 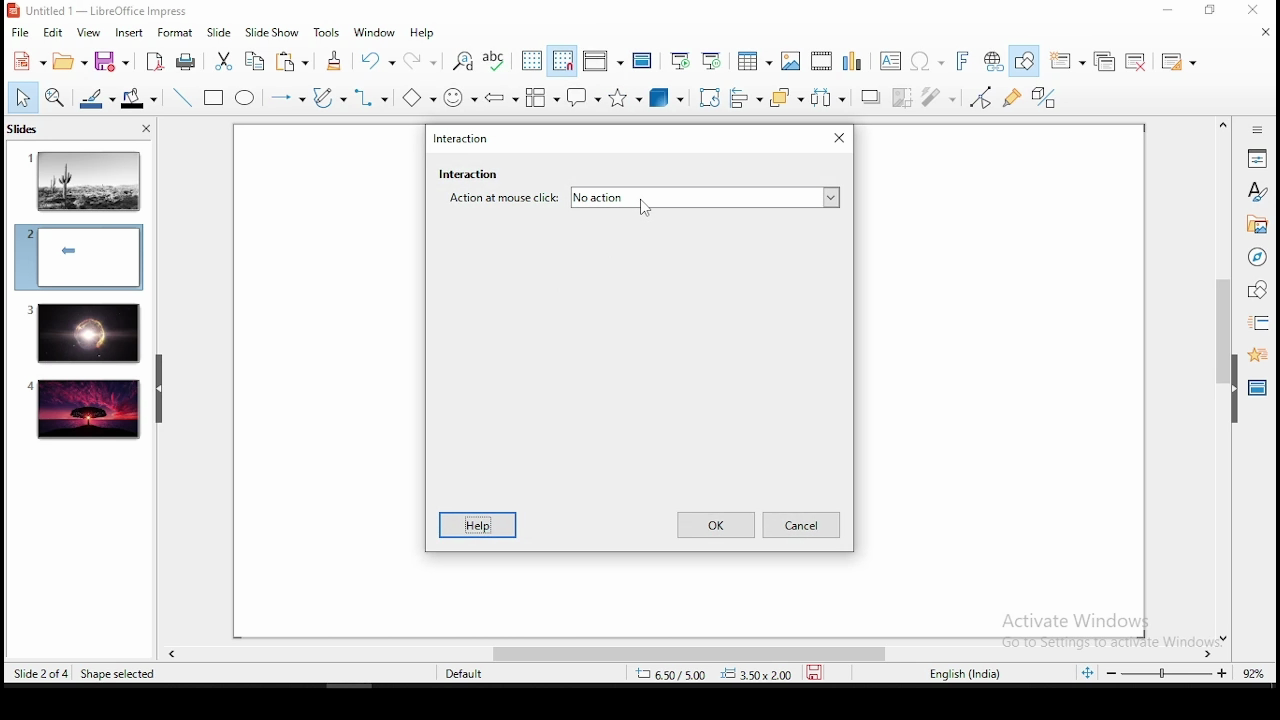 What do you see at coordinates (69, 62) in the screenshot?
I see `open` at bounding box center [69, 62].